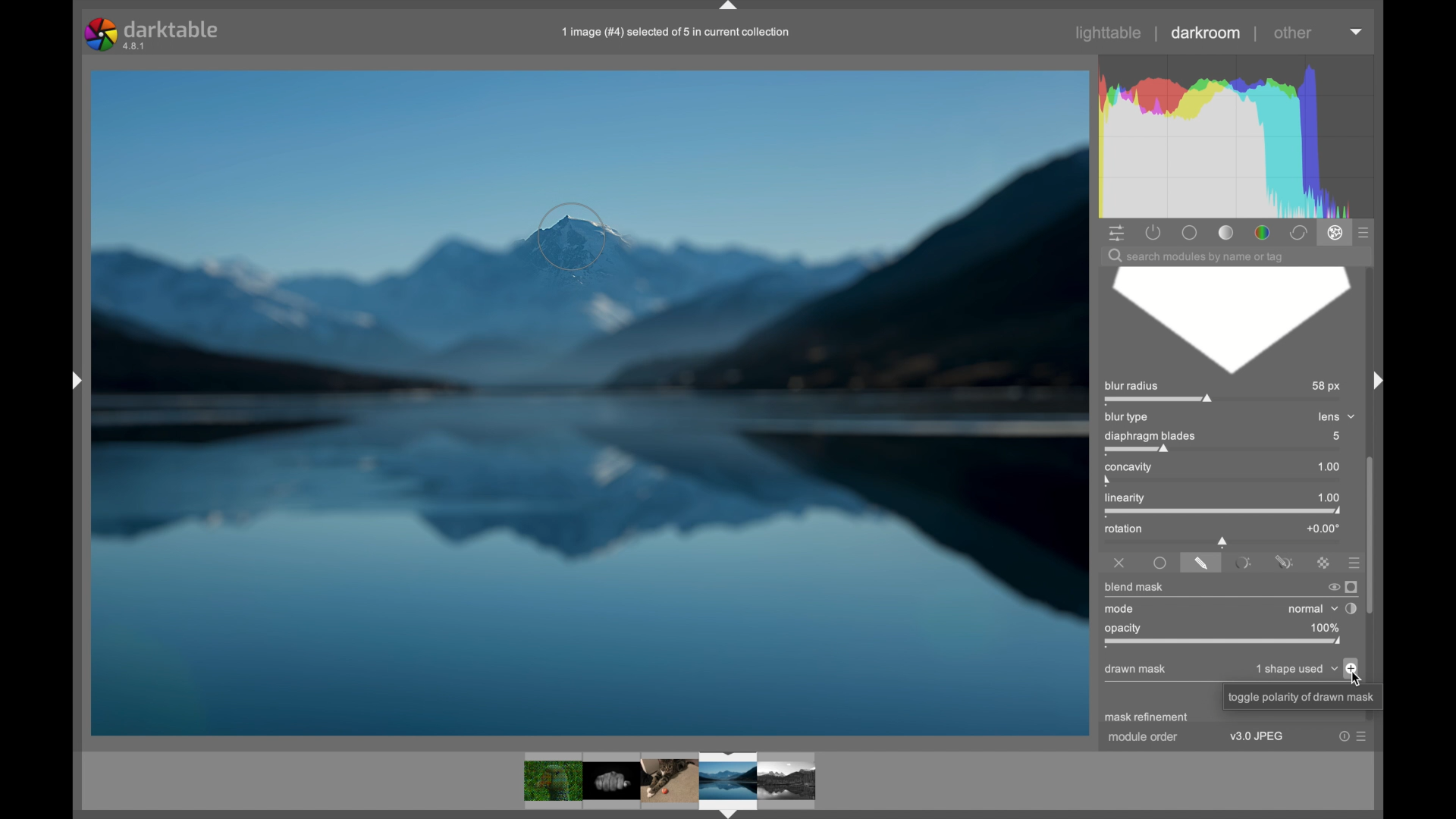 This screenshot has width=1456, height=819. Describe the element at coordinates (1352, 586) in the screenshot. I see `display mask` at that location.